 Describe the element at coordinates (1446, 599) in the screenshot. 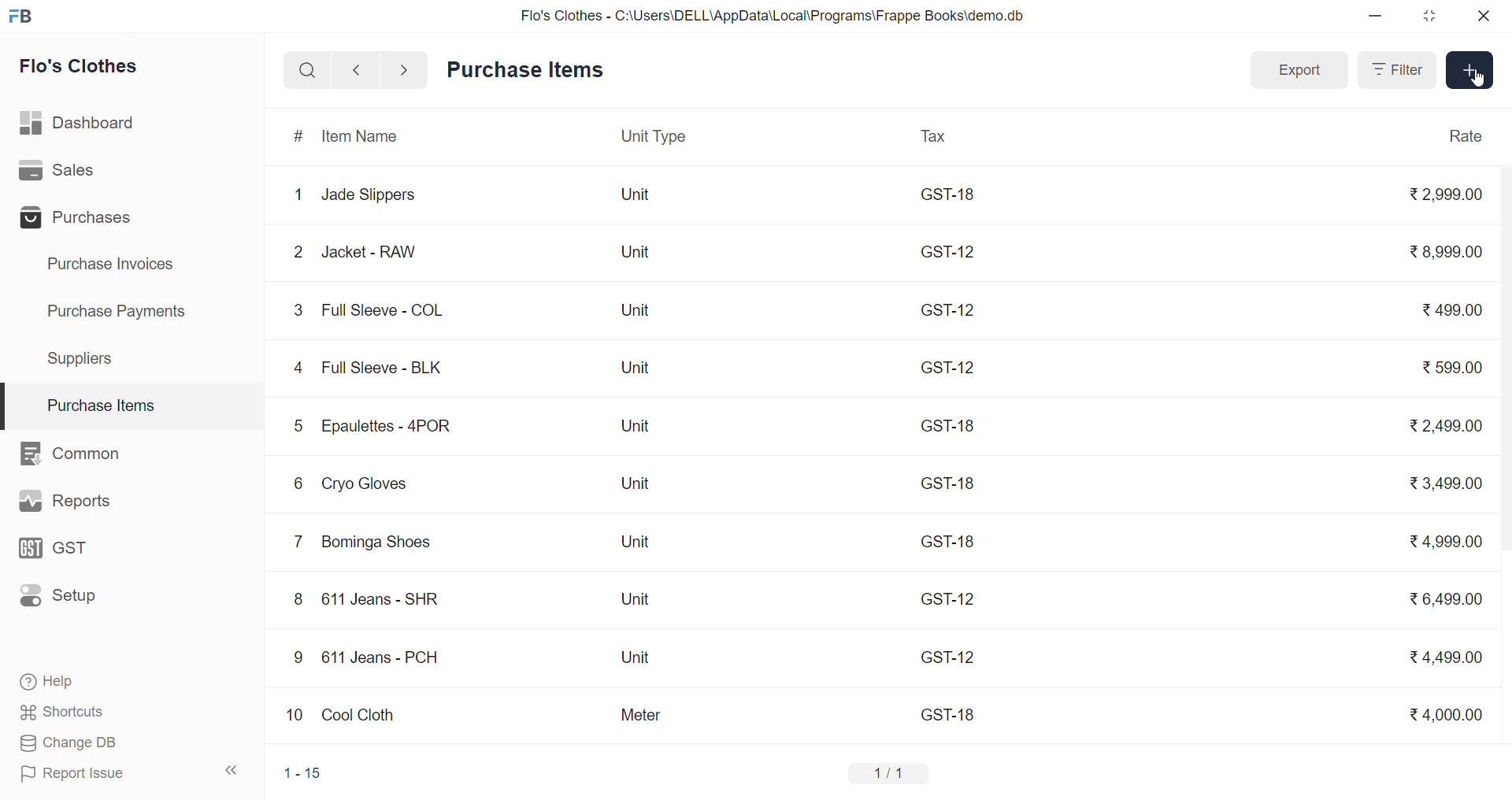

I see `₹6,499.00` at that location.